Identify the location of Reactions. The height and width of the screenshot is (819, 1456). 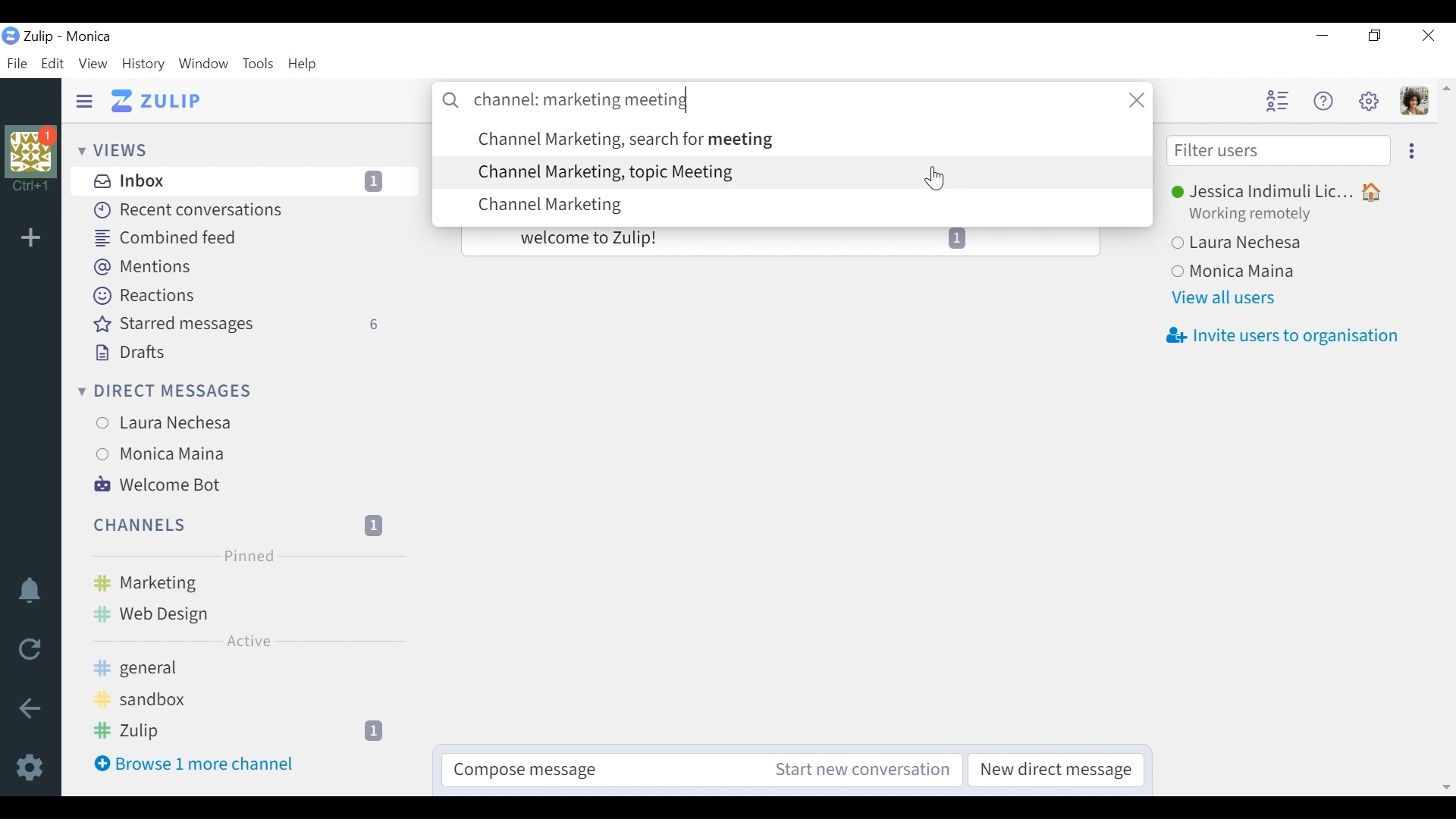
(143, 296).